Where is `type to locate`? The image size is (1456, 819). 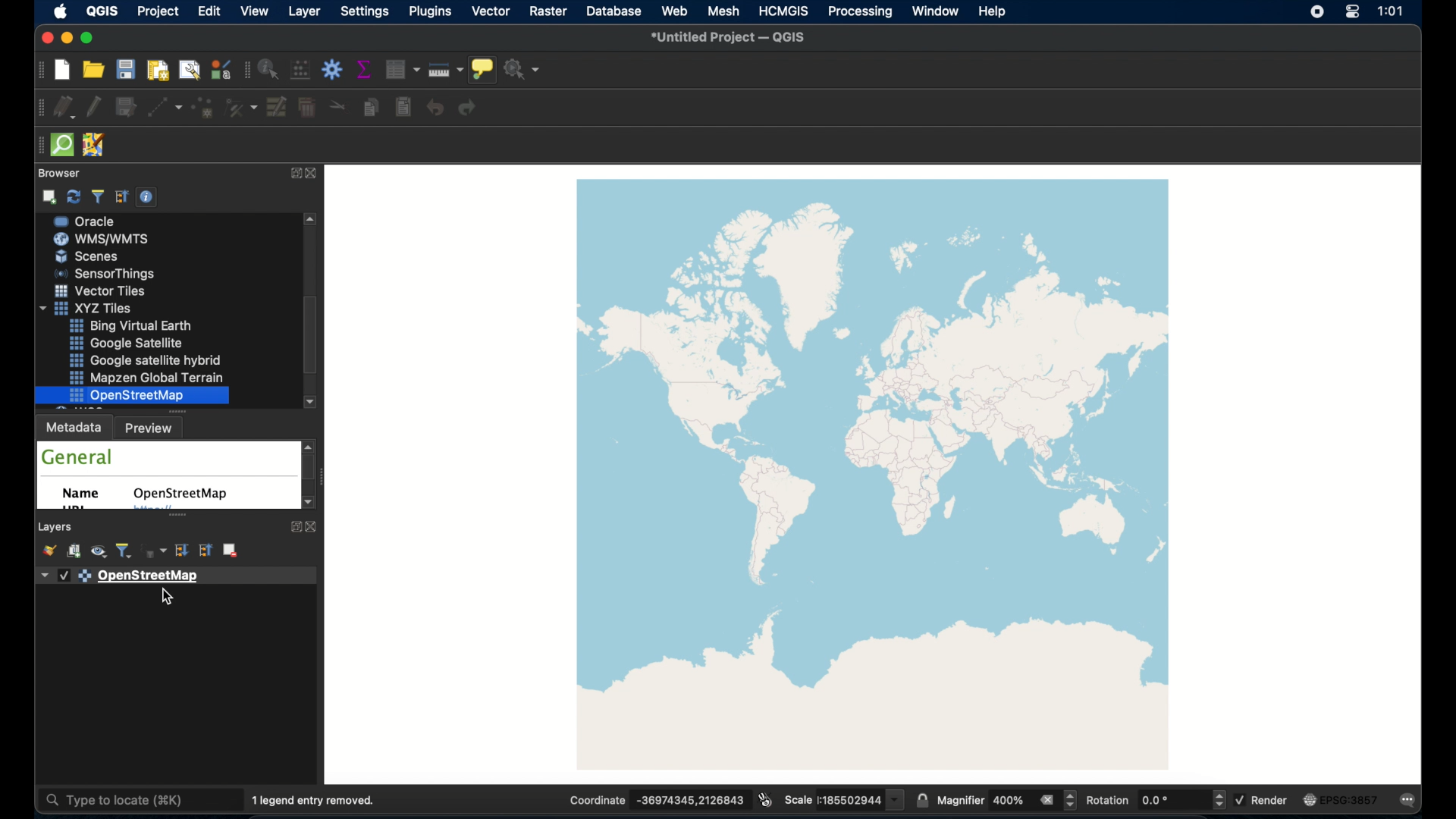
type to locate is located at coordinates (123, 801).